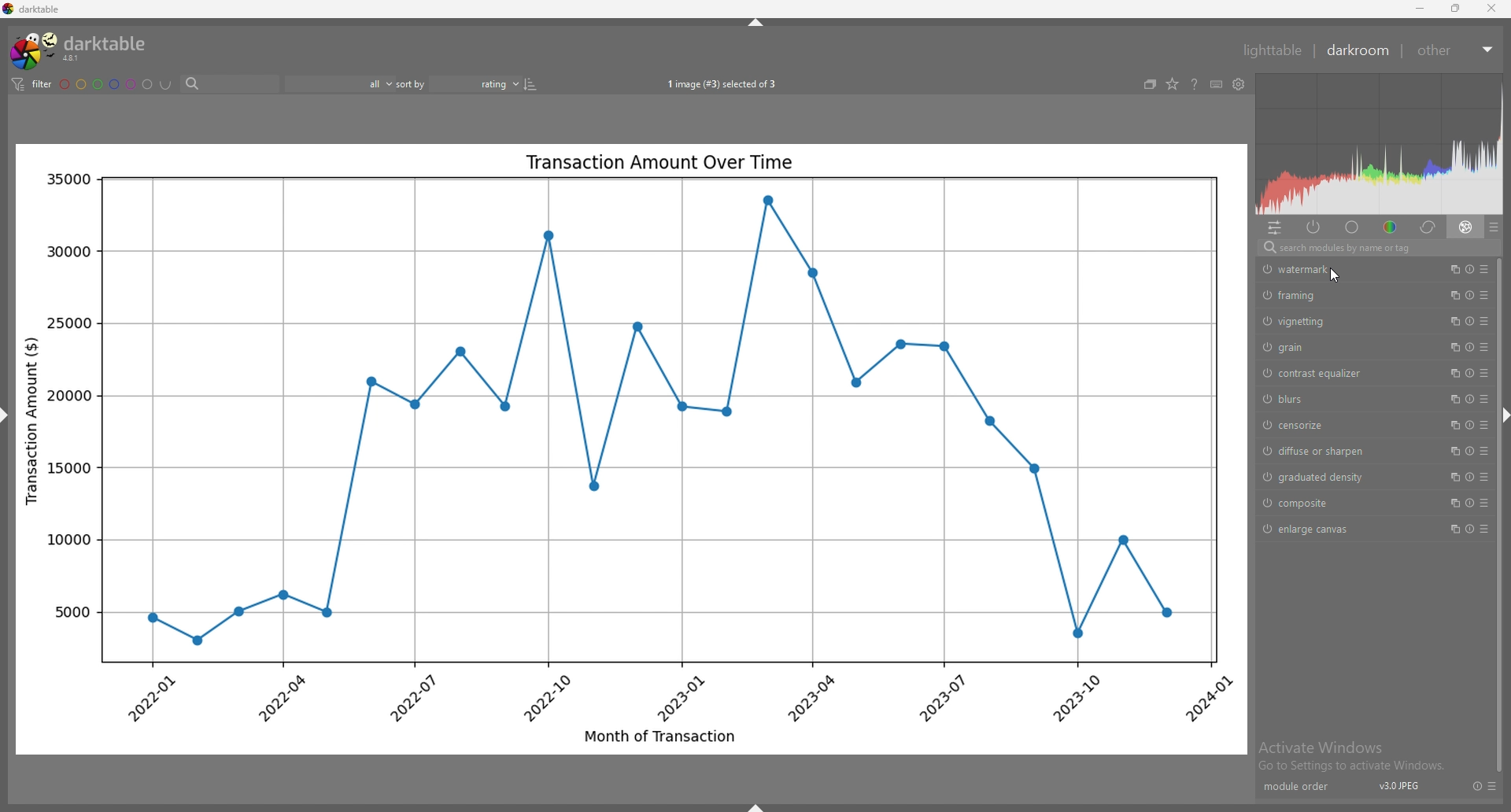  Describe the element at coordinates (1469, 268) in the screenshot. I see `reset` at that location.